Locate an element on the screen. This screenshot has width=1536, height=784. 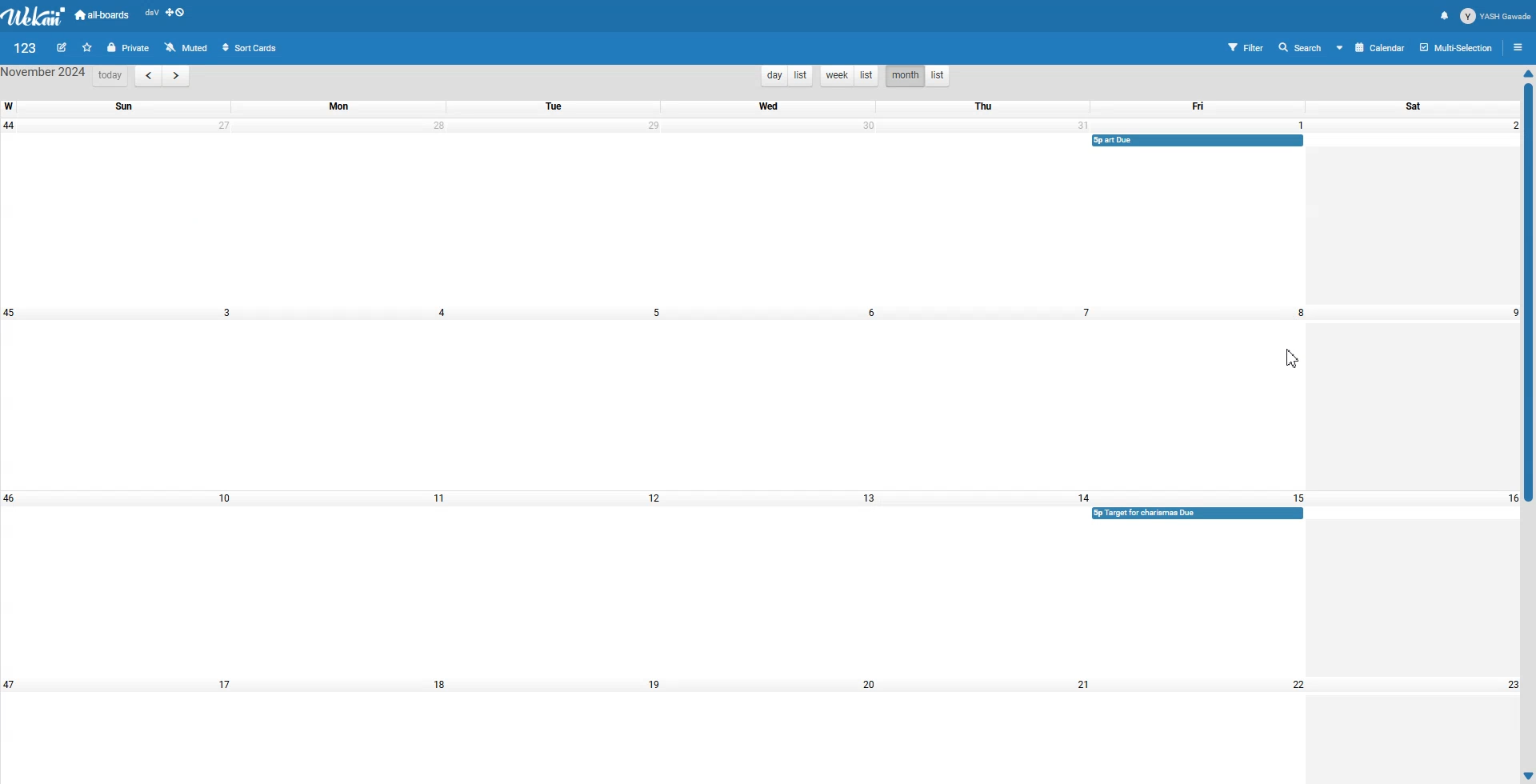
Text is located at coordinates (44, 74).